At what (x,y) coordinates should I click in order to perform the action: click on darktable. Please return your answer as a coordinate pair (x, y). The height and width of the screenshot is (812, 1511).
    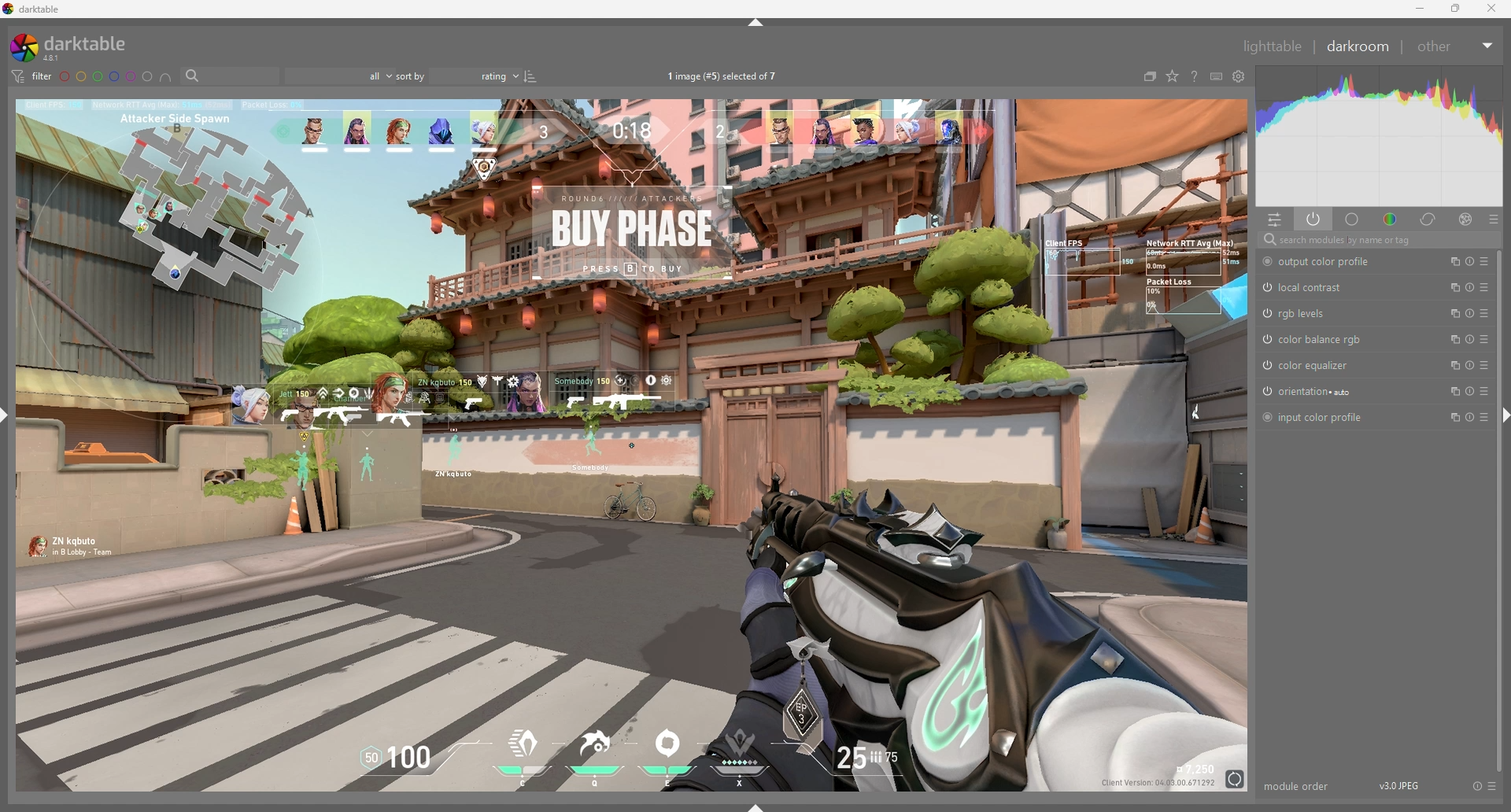
    Looking at the image, I should click on (77, 46).